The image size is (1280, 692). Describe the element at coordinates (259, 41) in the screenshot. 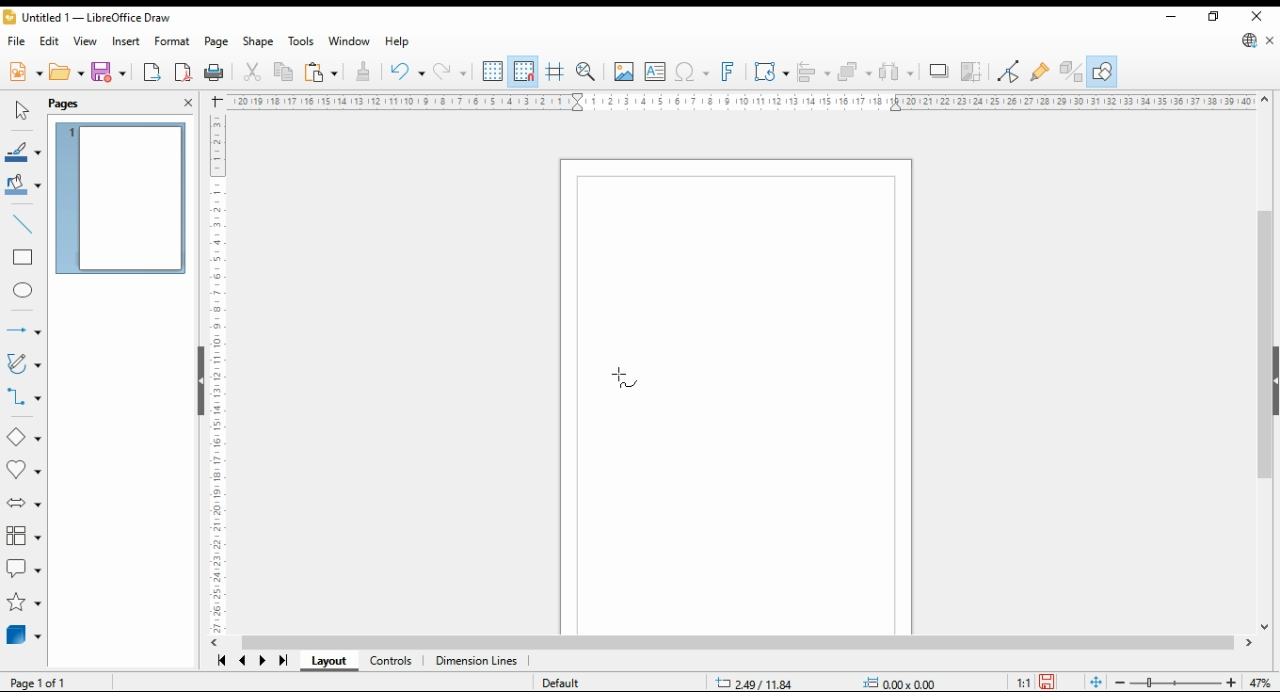

I see `shape` at that location.